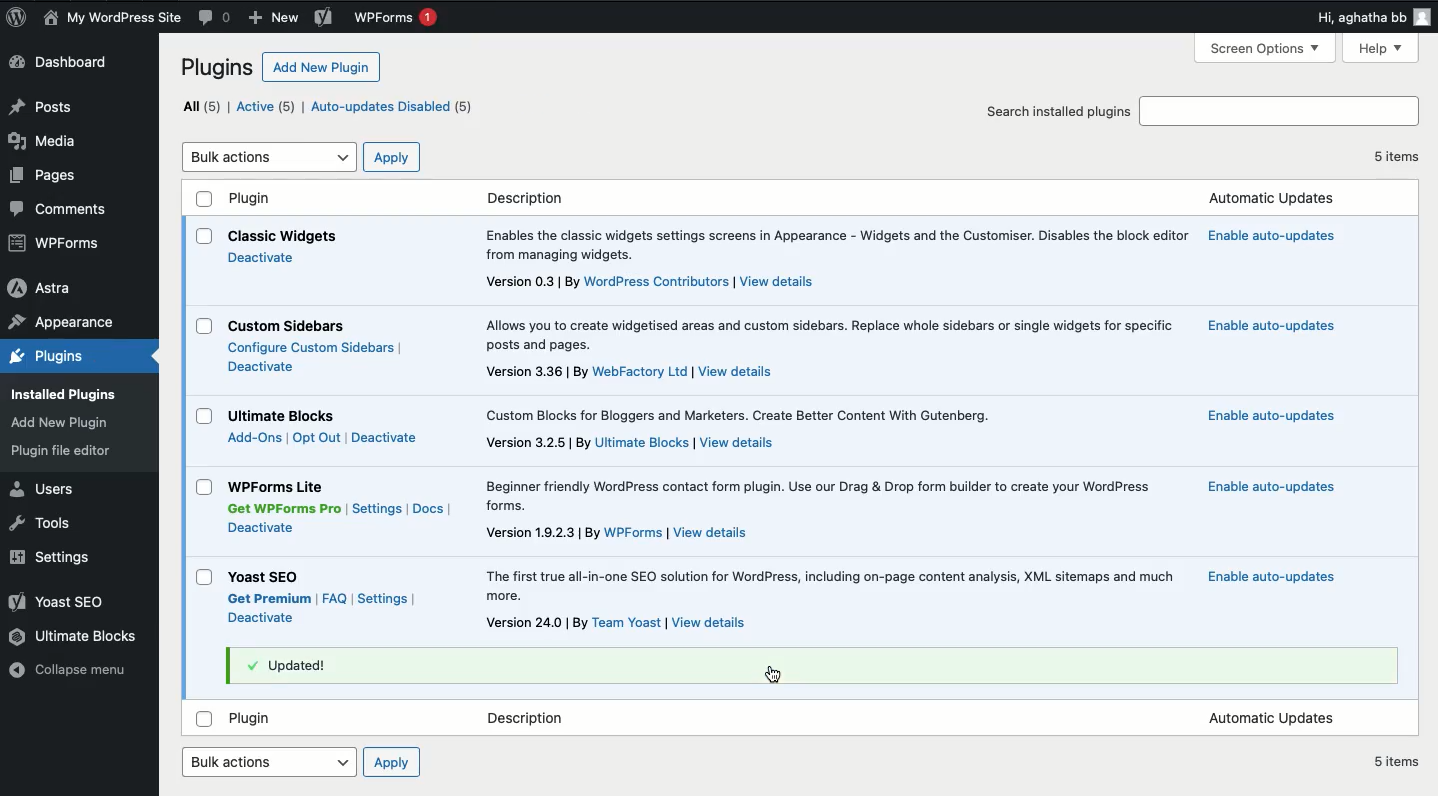 The height and width of the screenshot is (796, 1438). Describe the element at coordinates (257, 721) in the screenshot. I see `Plugin` at that location.